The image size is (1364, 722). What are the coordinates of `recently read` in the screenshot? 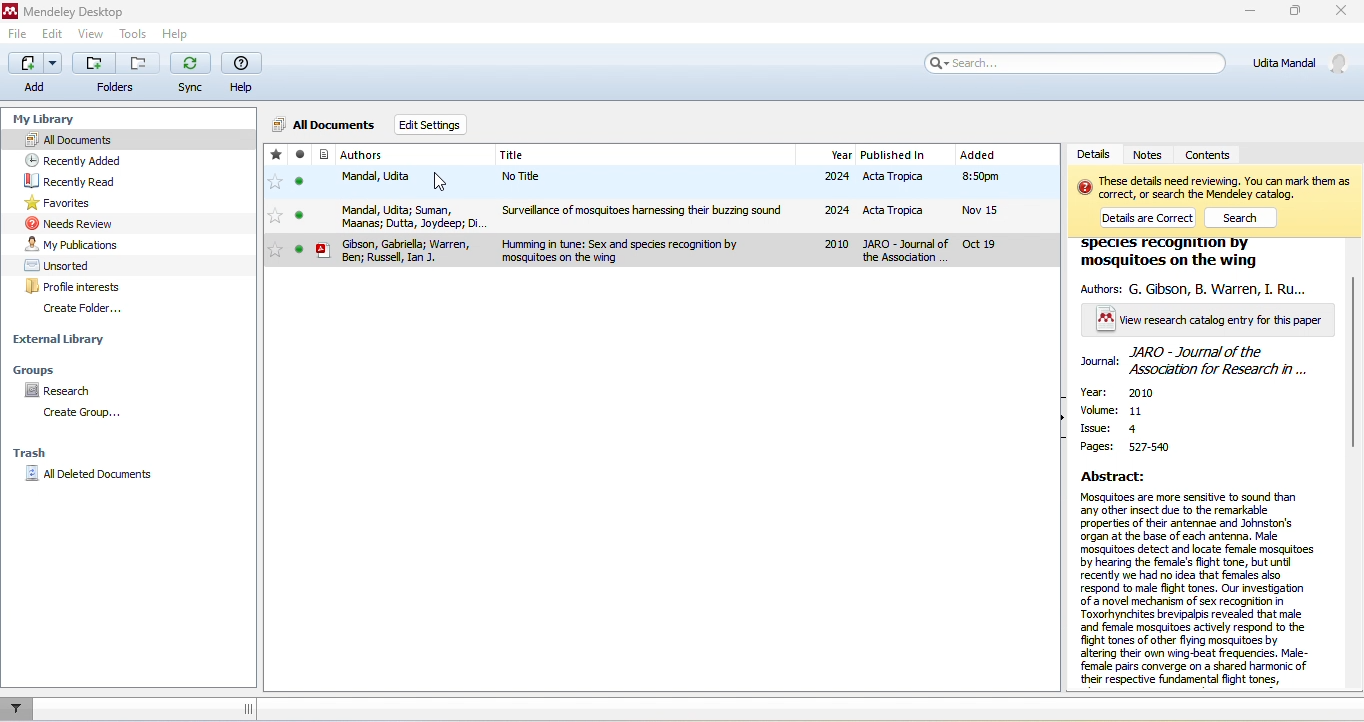 It's located at (90, 181).